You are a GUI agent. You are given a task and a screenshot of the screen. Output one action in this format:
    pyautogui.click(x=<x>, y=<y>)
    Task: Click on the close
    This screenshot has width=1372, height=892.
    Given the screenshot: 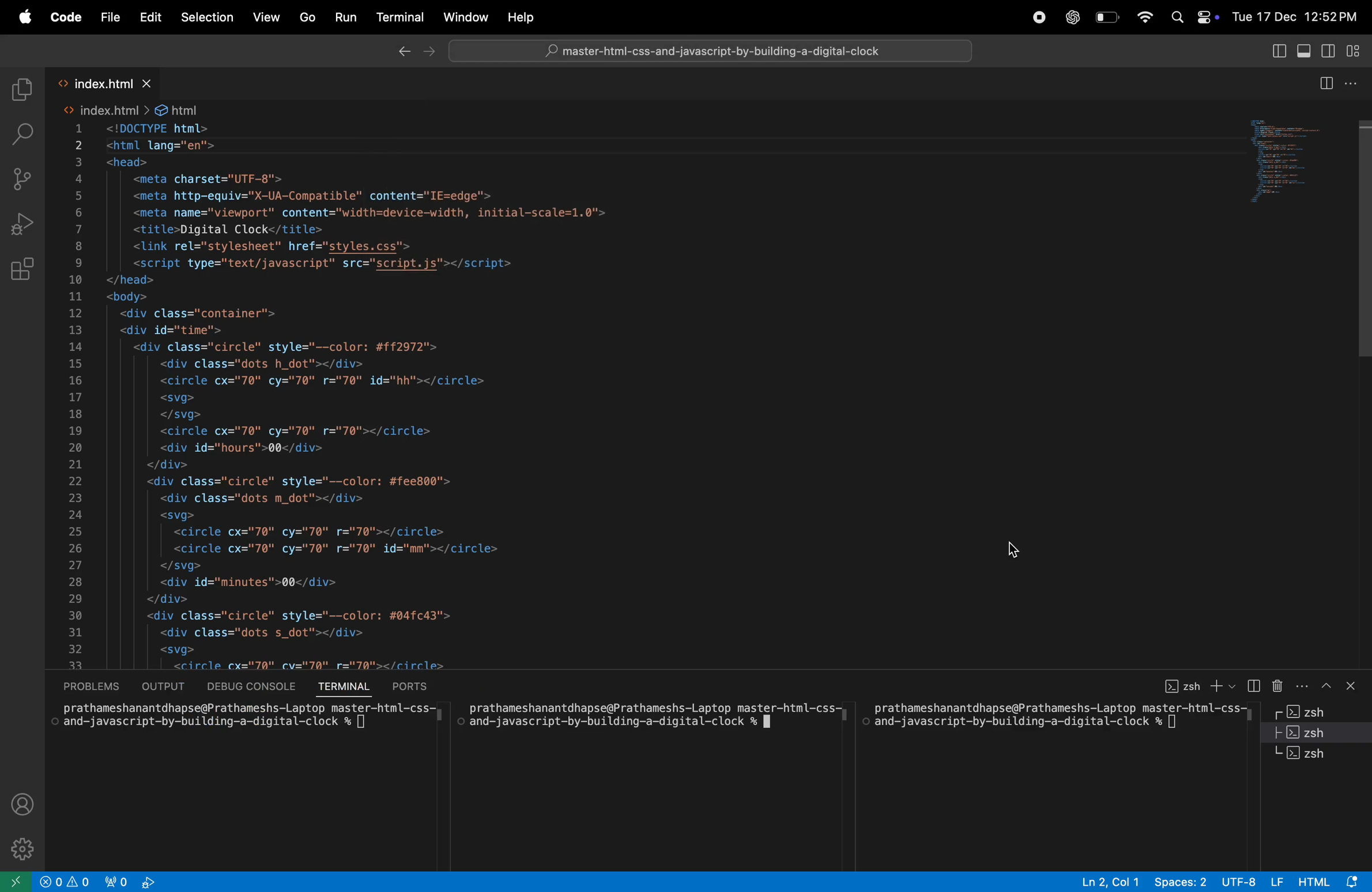 What is the action you would take?
    pyautogui.click(x=1354, y=685)
    